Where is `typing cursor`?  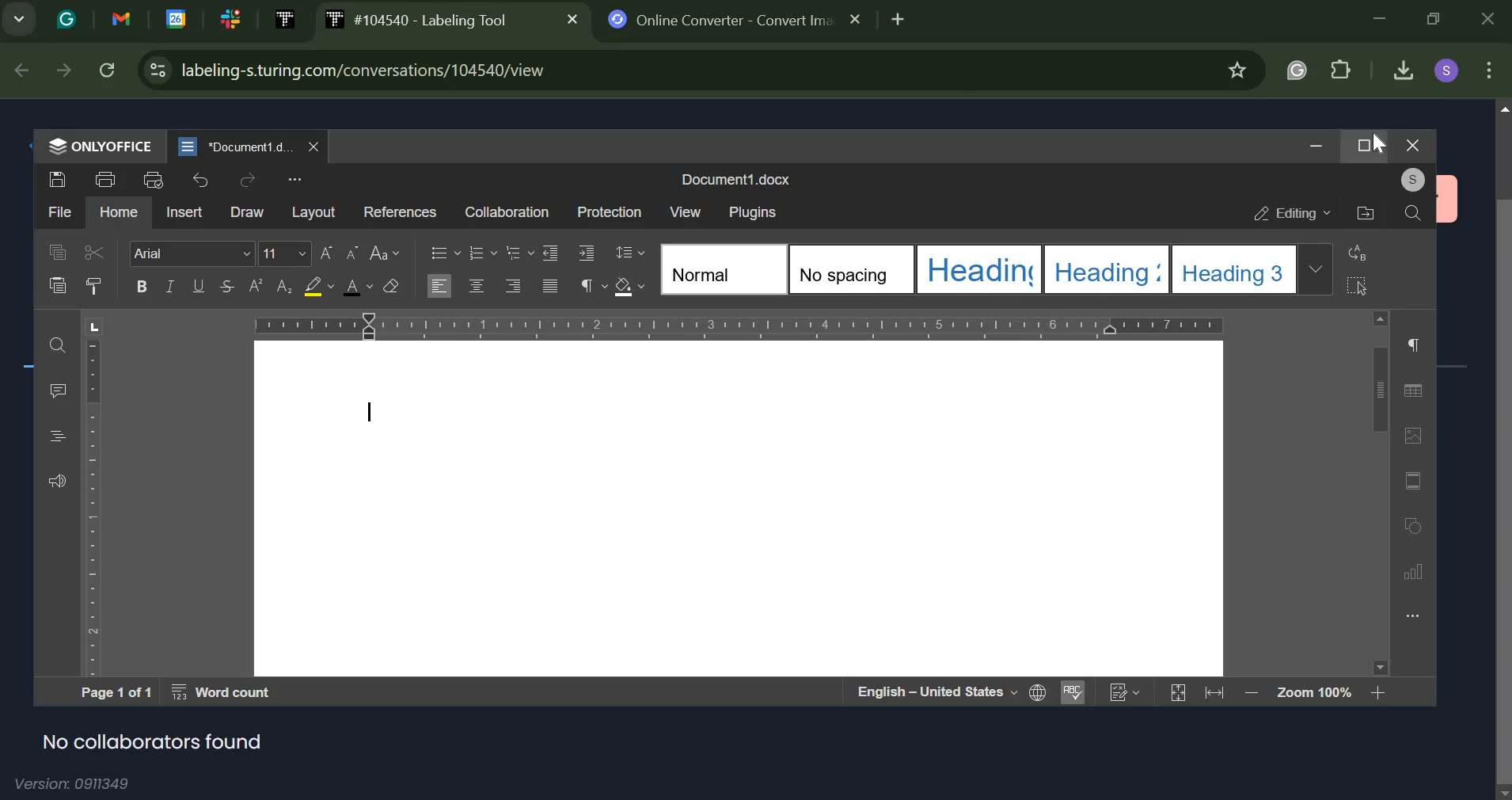
typing cursor is located at coordinates (372, 411).